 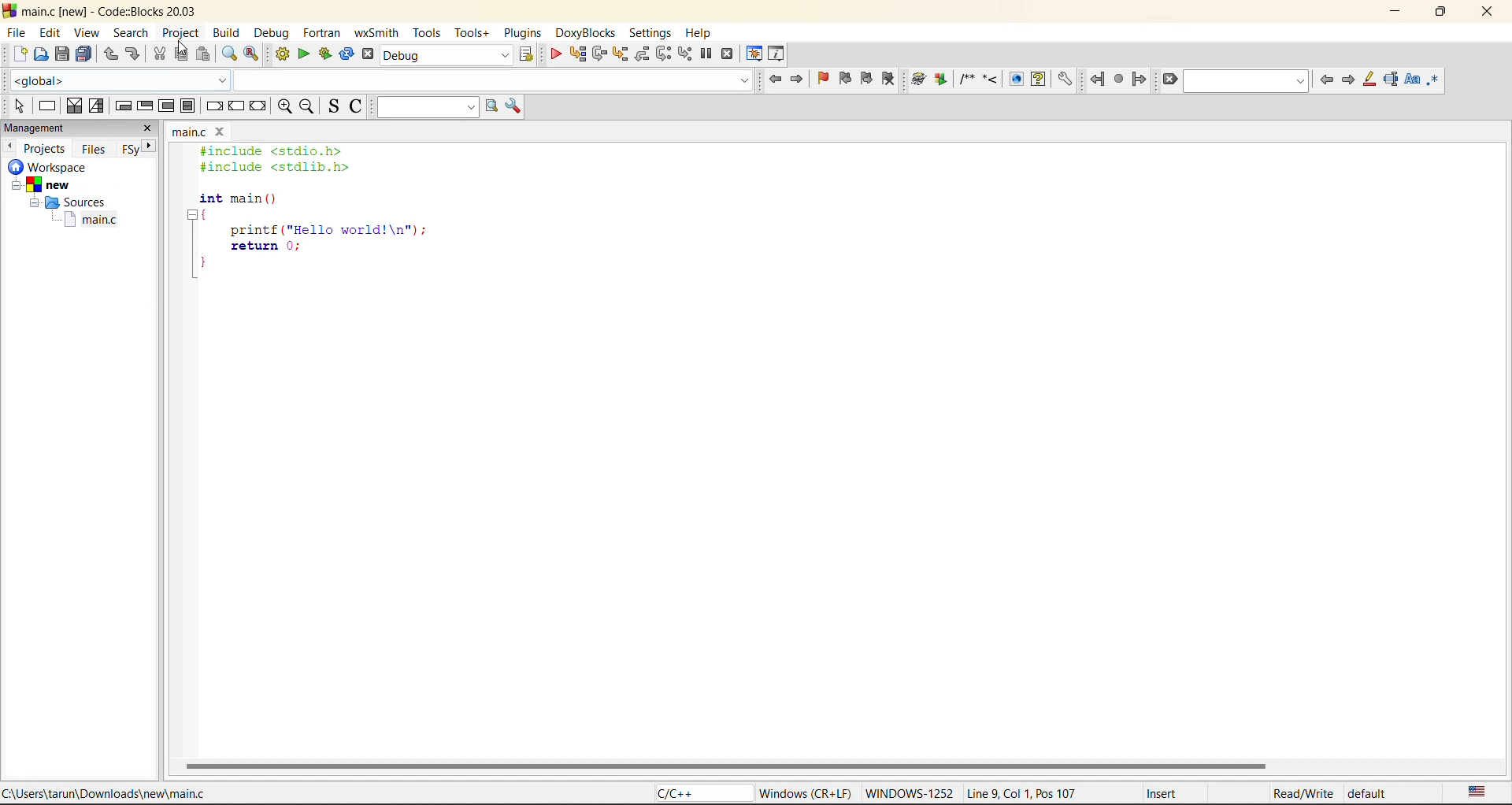 What do you see at coordinates (182, 54) in the screenshot?
I see `copy` at bounding box center [182, 54].